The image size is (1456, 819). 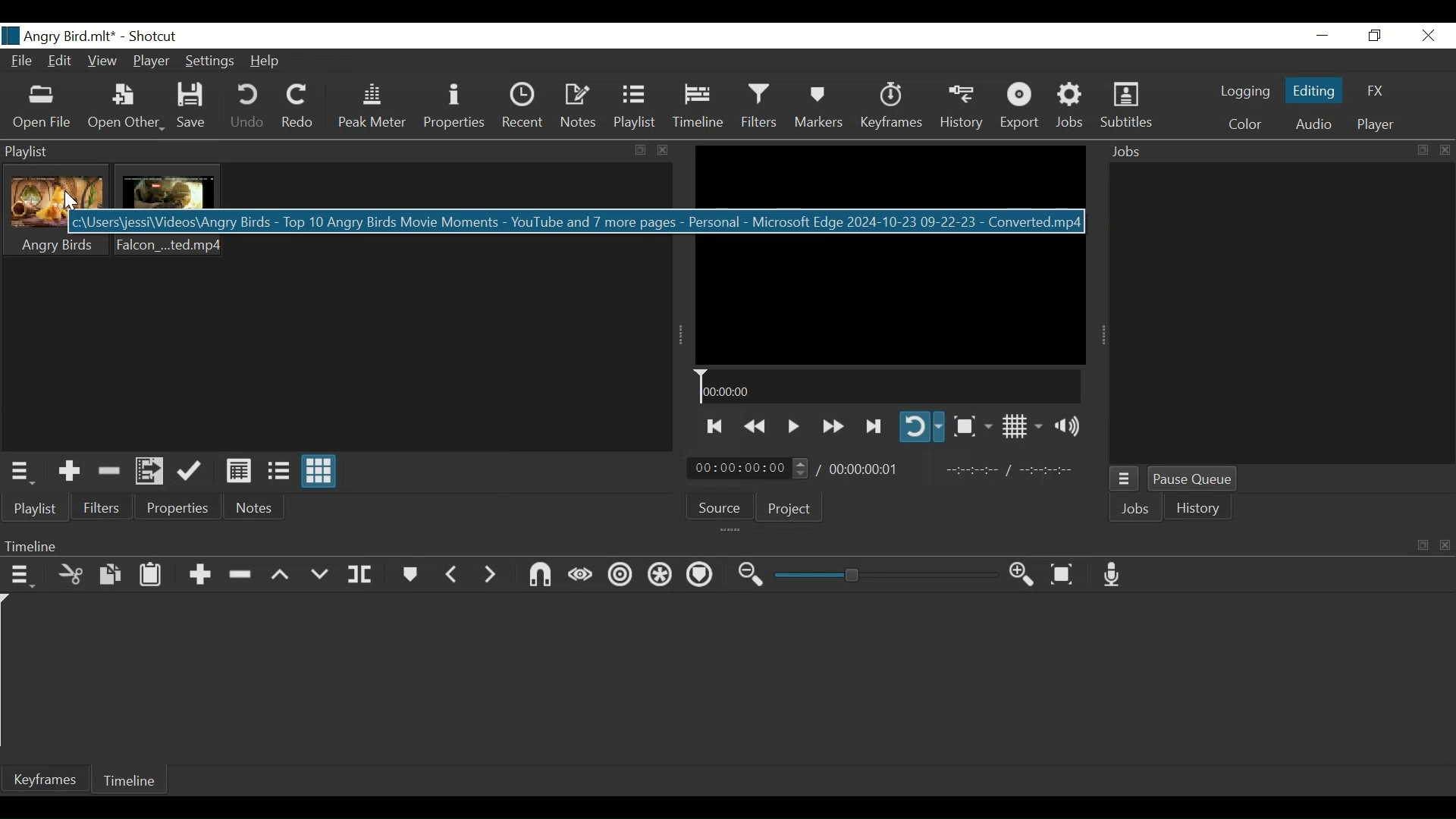 What do you see at coordinates (890, 387) in the screenshot?
I see `Timeline` at bounding box center [890, 387].